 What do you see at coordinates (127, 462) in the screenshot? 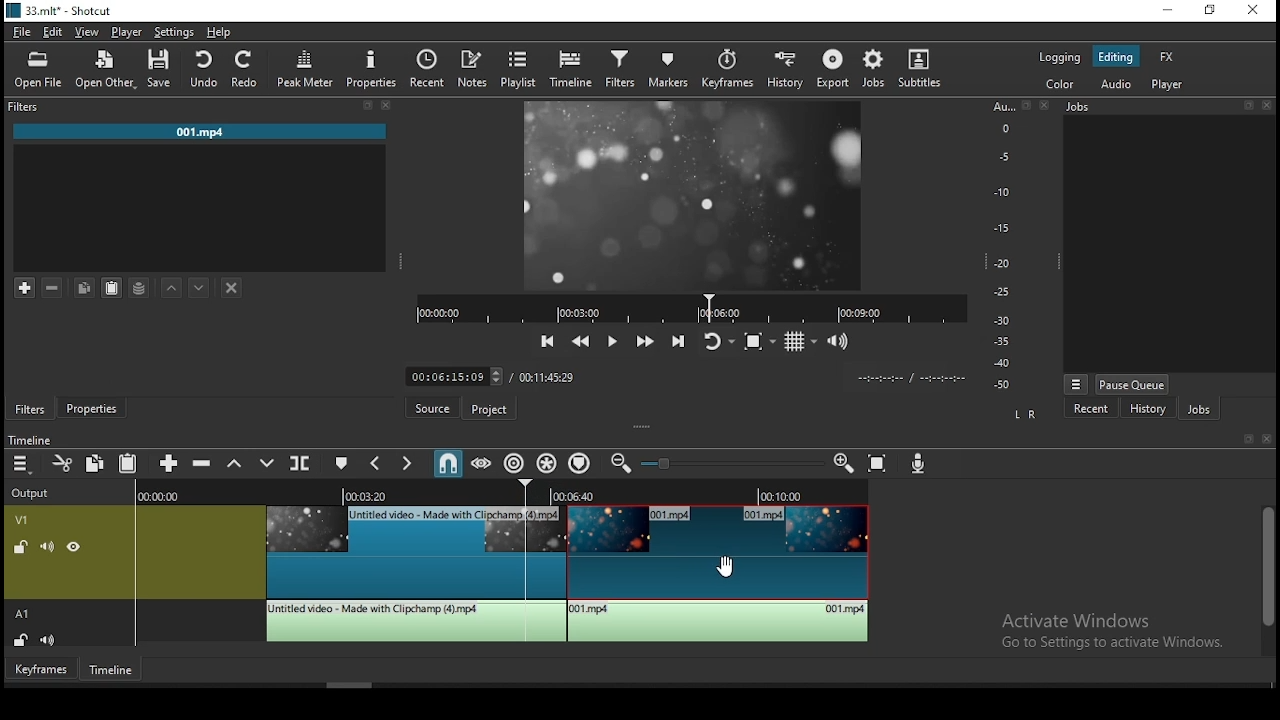
I see `paste` at bounding box center [127, 462].